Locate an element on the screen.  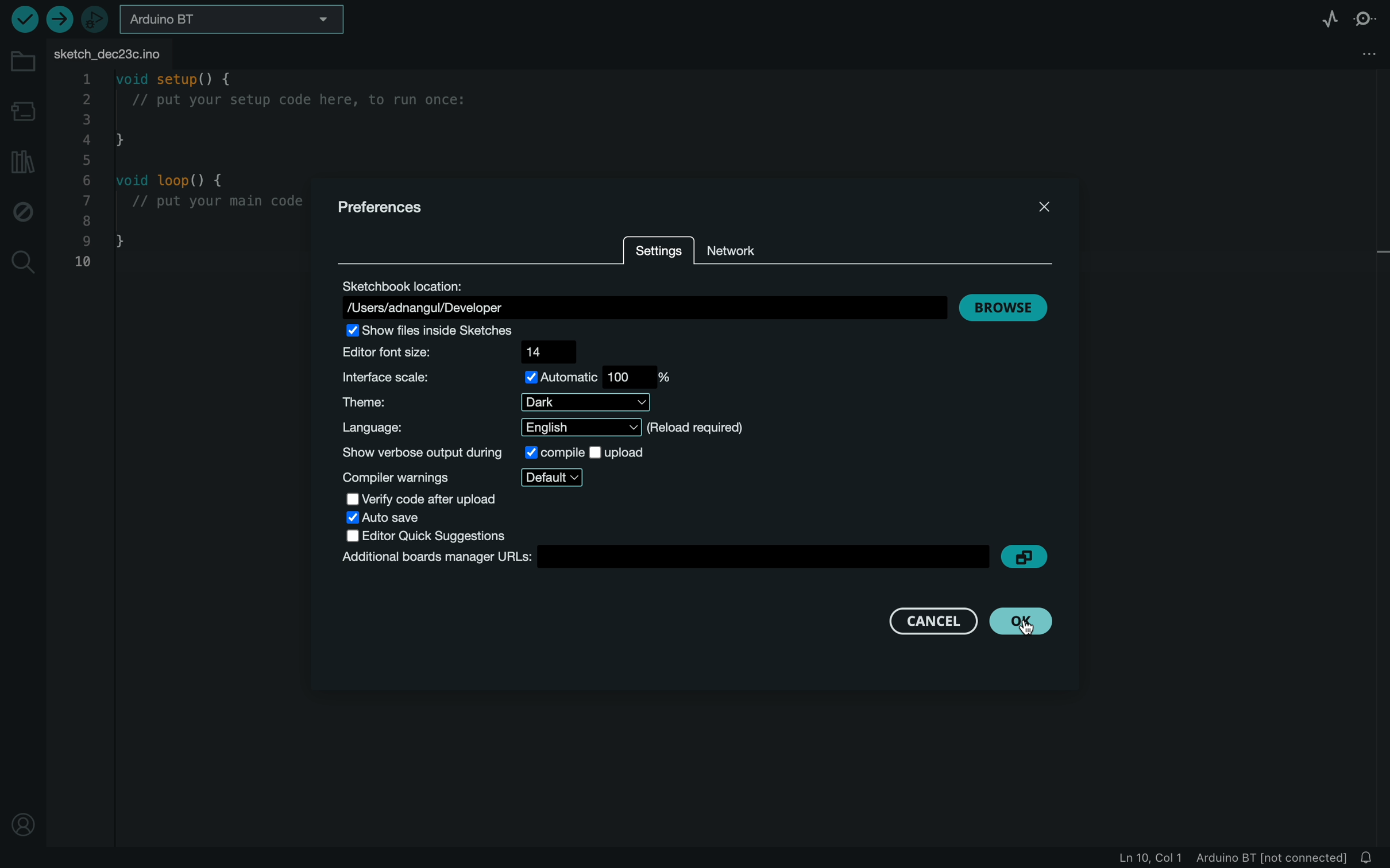
search is located at coordinates (20, 263).